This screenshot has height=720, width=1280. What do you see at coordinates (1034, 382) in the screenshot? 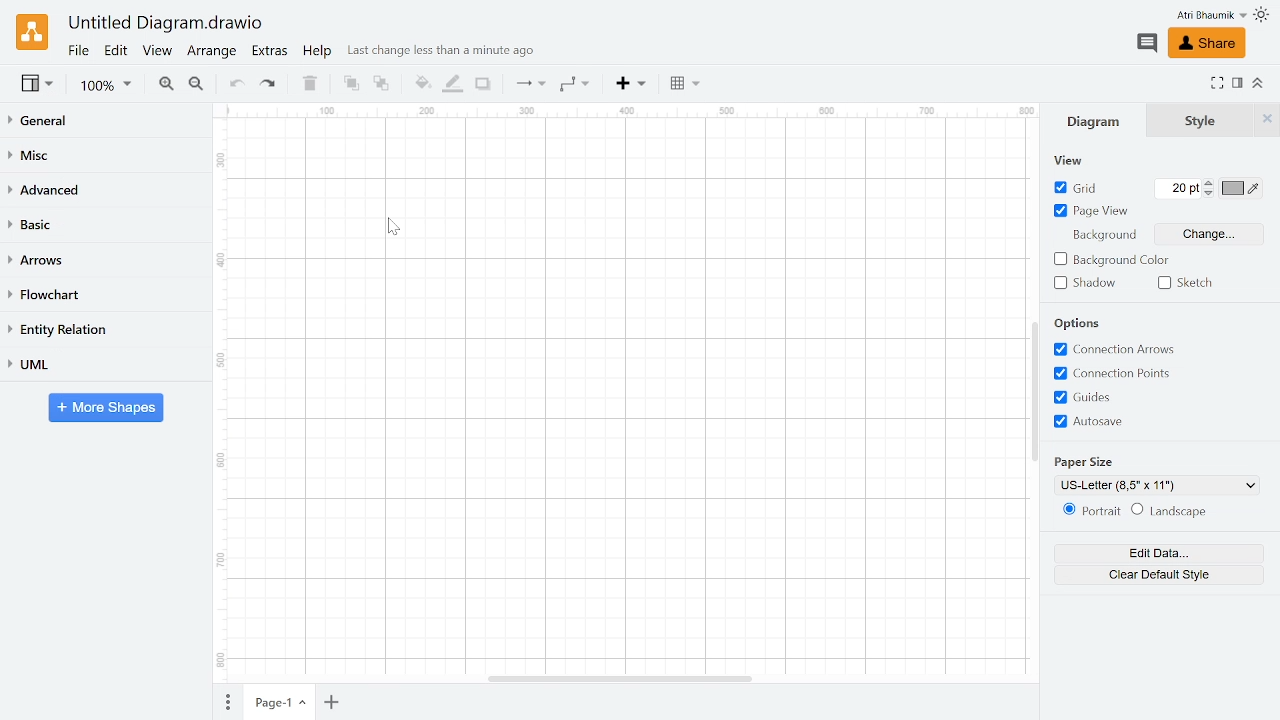
I see `Vertical scrollbar` at bounding box center [1034, 382].